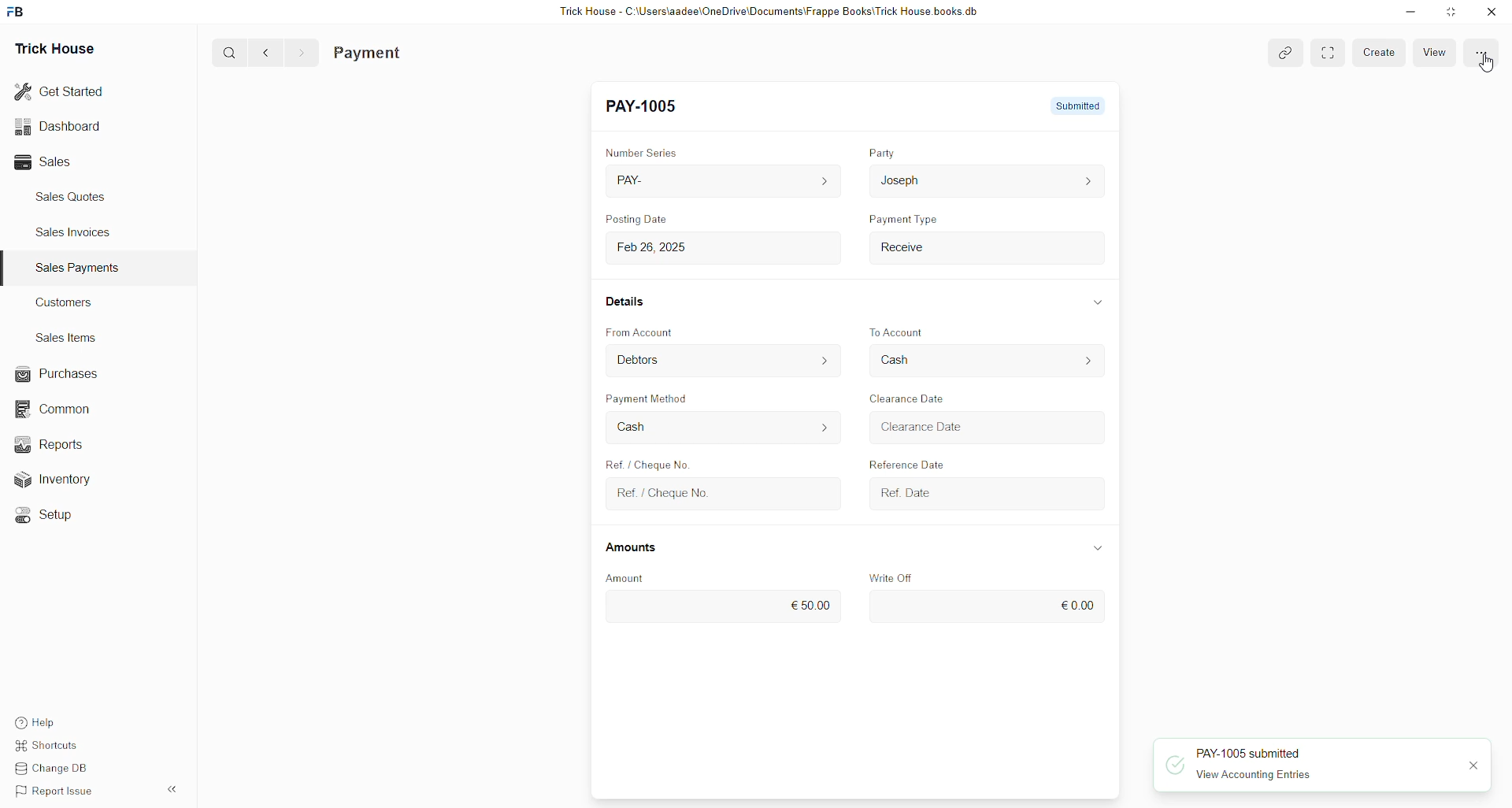 This screenshot has height=808, width=1512. What do you see at coordinates (38, 718) in the screenshot?
I see `Help` at bounding box center [38, 718].